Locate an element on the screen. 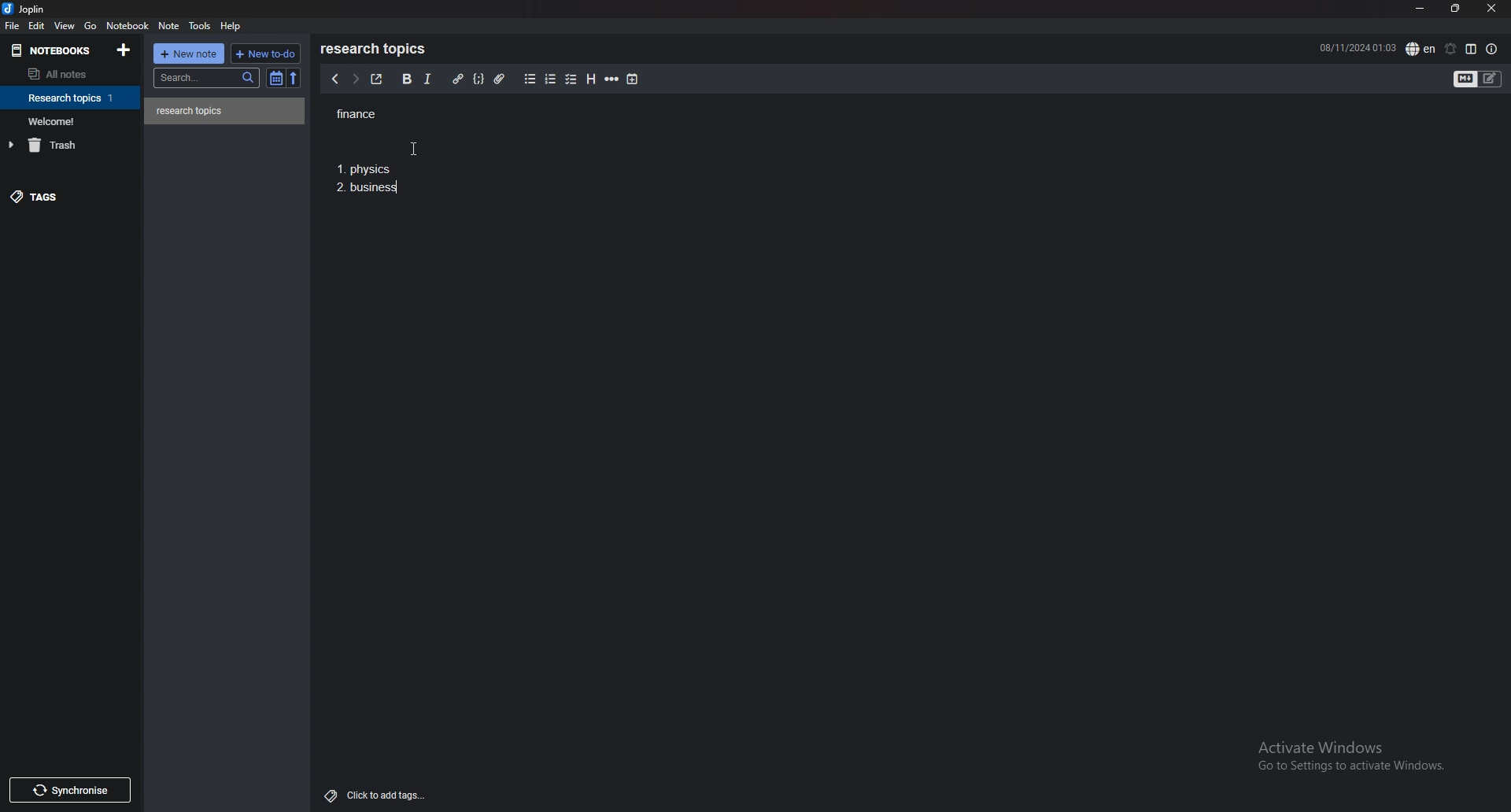 This screenshot has width=1511, height=812. note properties is located at coordinates (1492, 49).